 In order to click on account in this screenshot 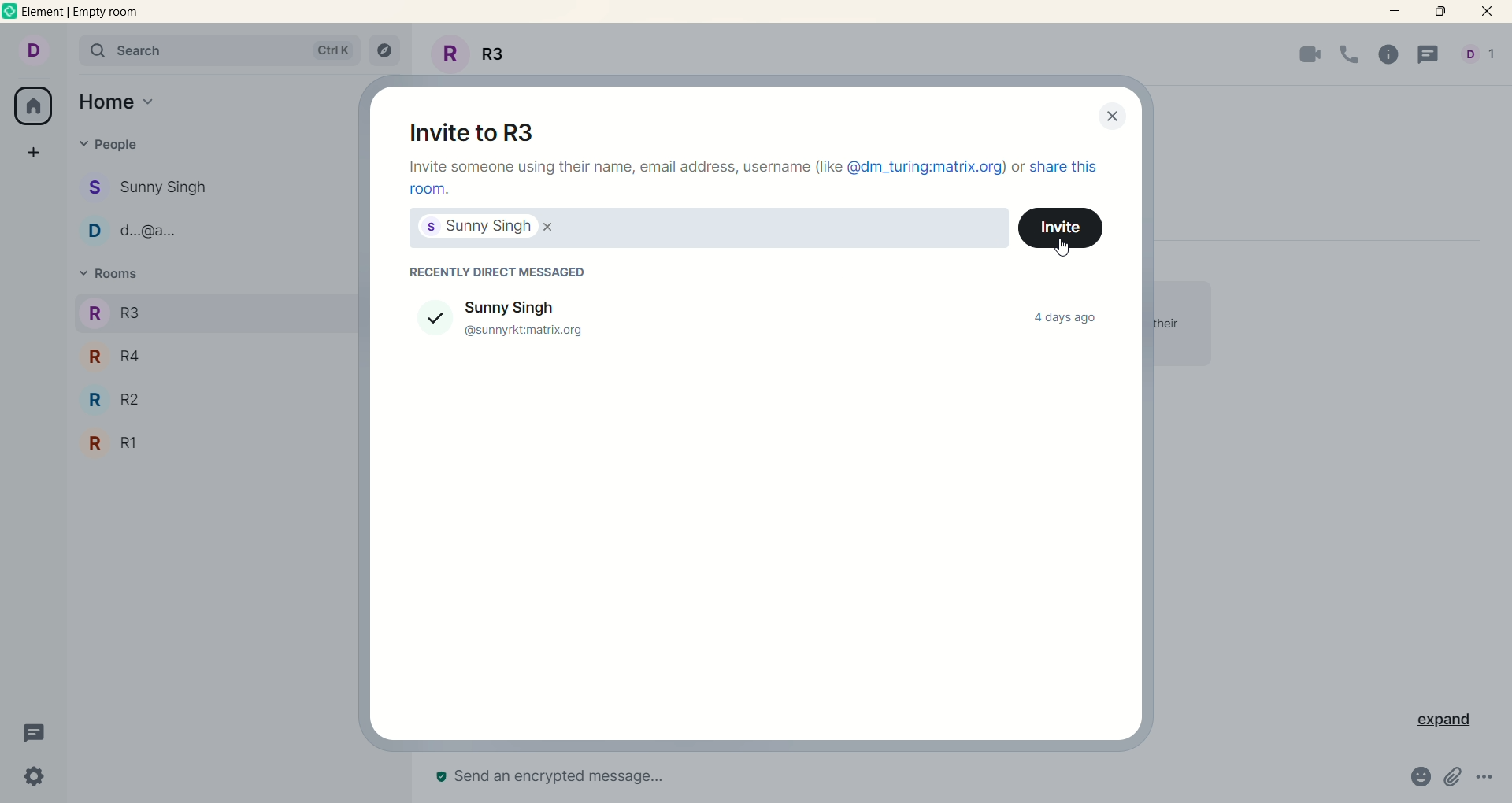, I will do `click(31, 50)`.